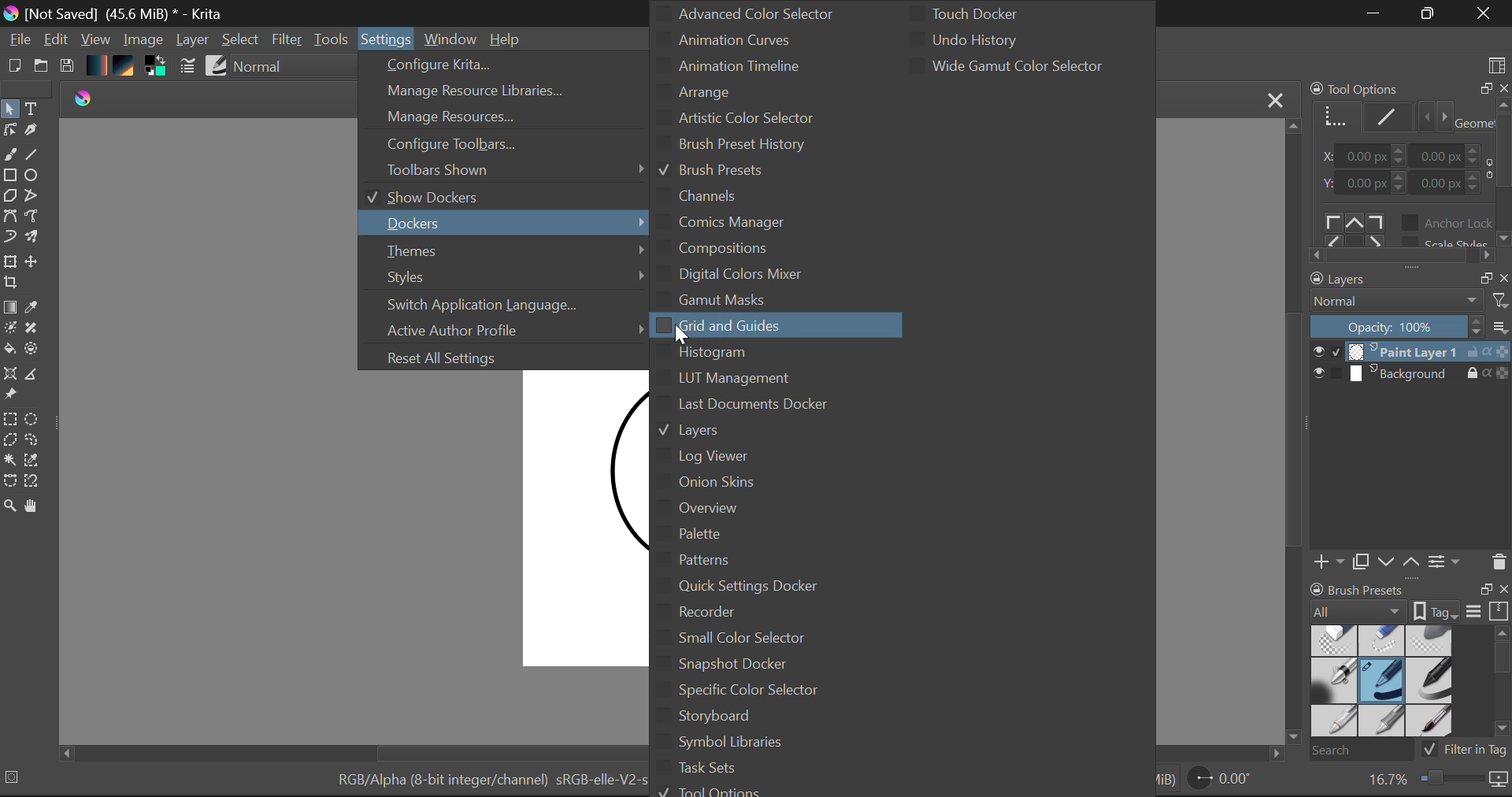 The width and height of the screenshot is (1512, 797). What do you see at coordinates (9, 197) in the screenshot?
I see `Polygon` at bounding box center [9, 197].